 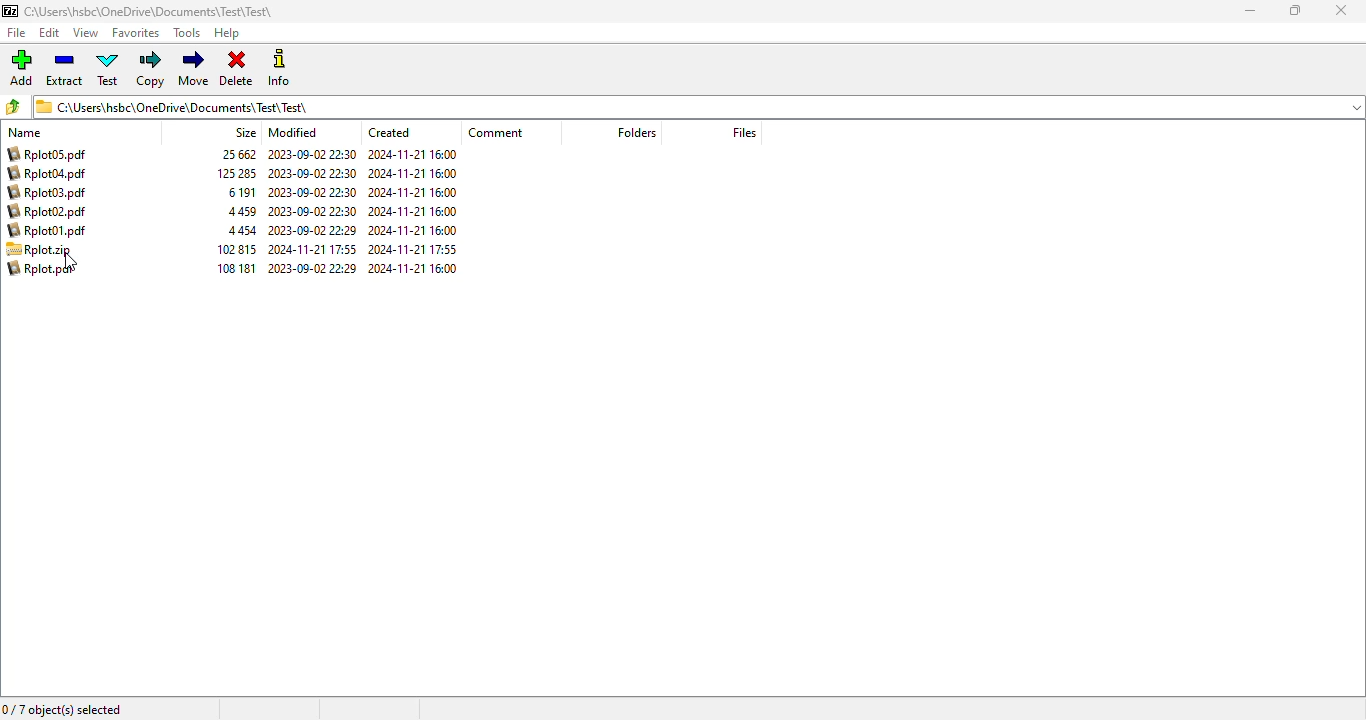 What do you see at coordinates (278, 67) in the screenshot?
I see `info` at bounding box center [278, 67].